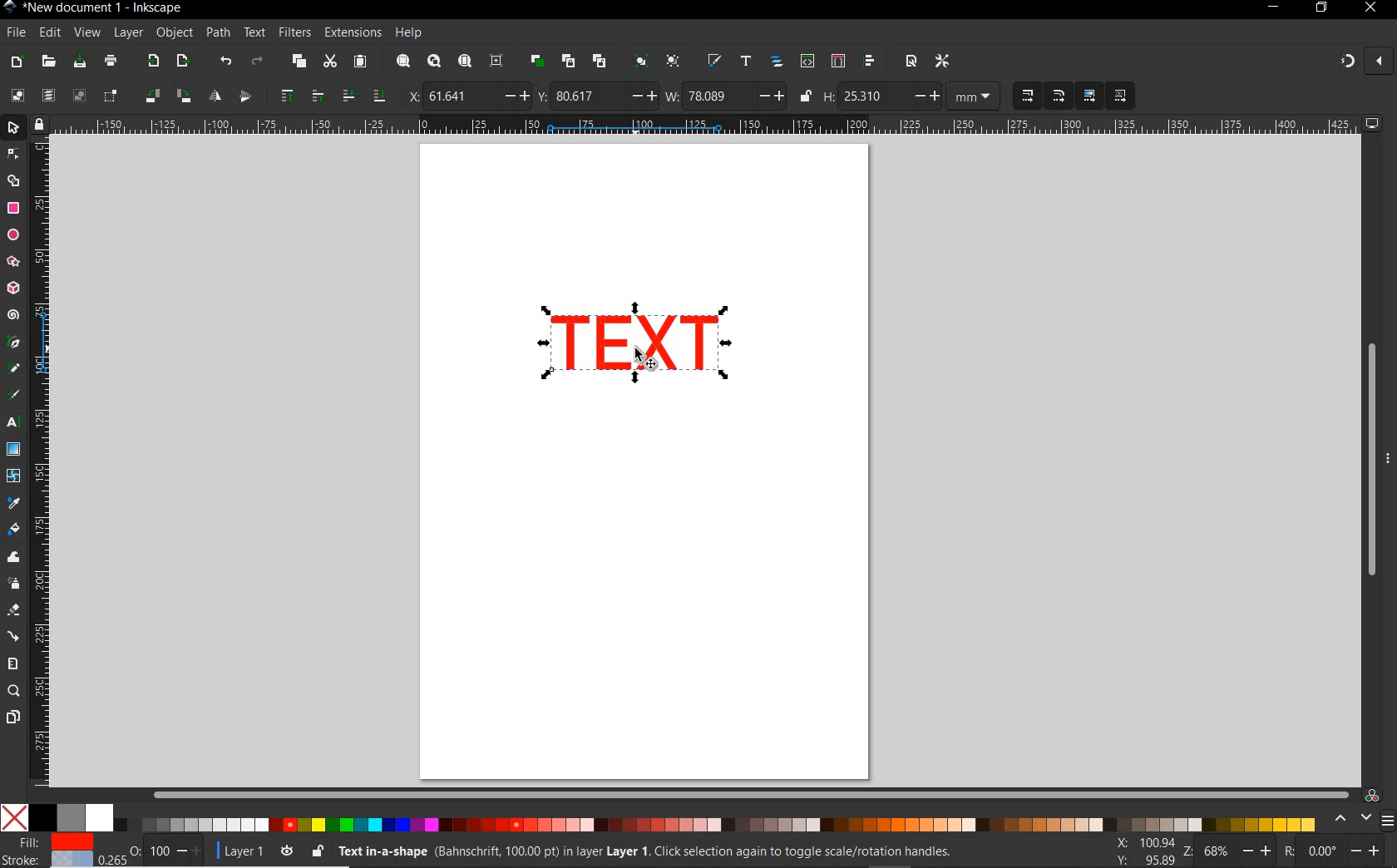 The height and width of the screenshot is (868, 1397). I want to click on open align and distribute, so click(871, 62).